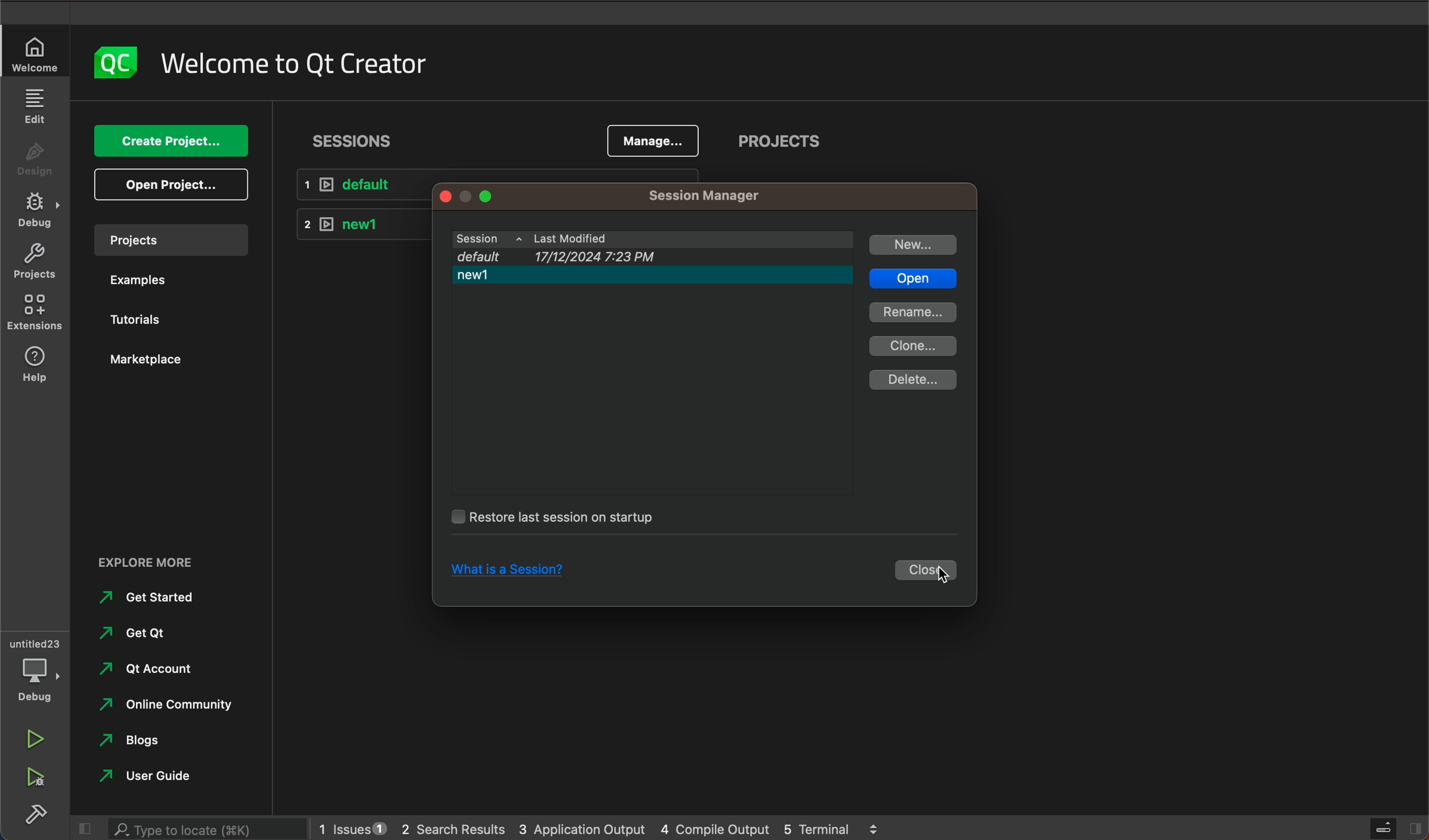  I want to click on projects, so click(781, 145).